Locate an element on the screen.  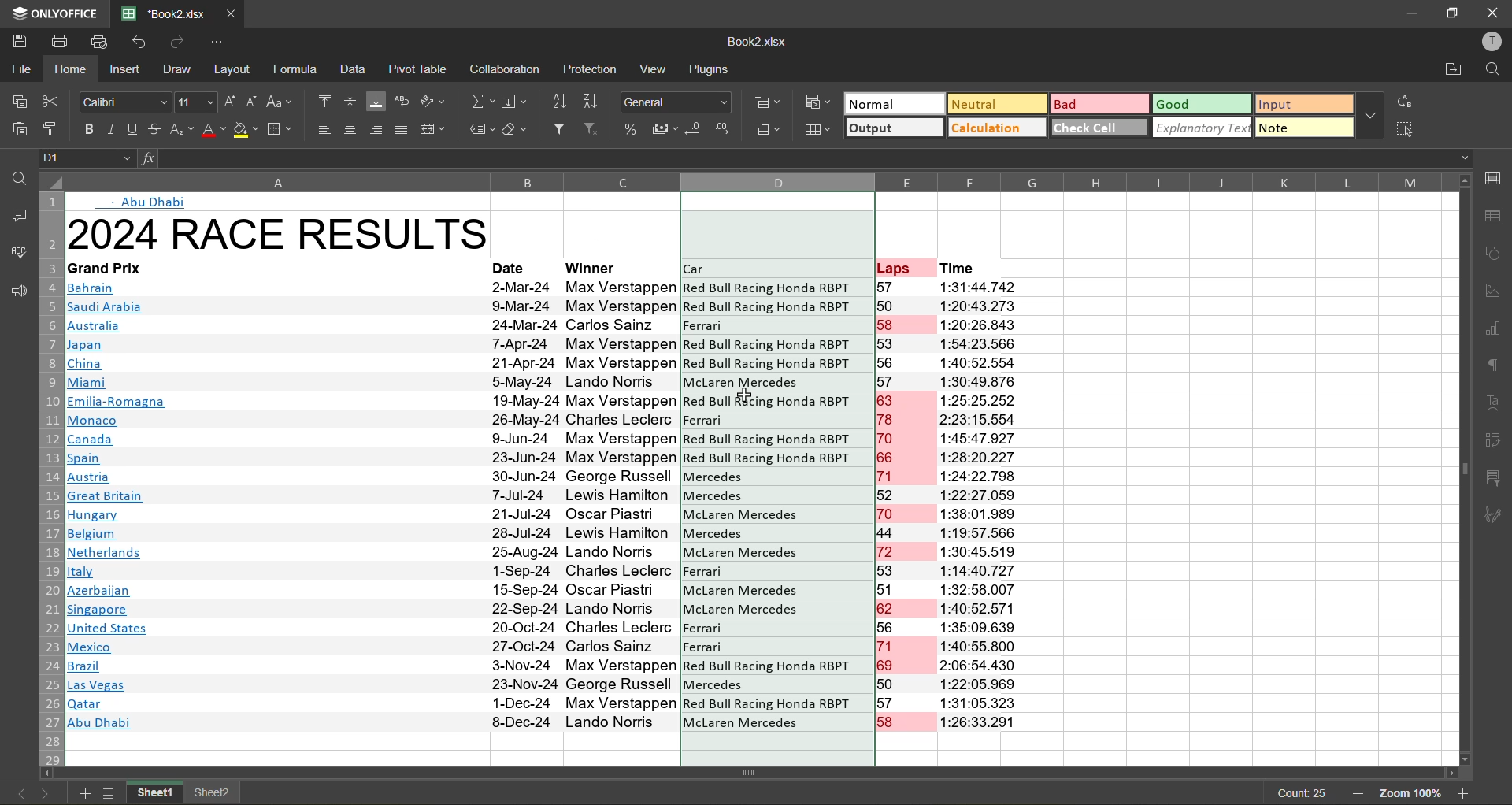
cut is located at coordinates (51, 102).